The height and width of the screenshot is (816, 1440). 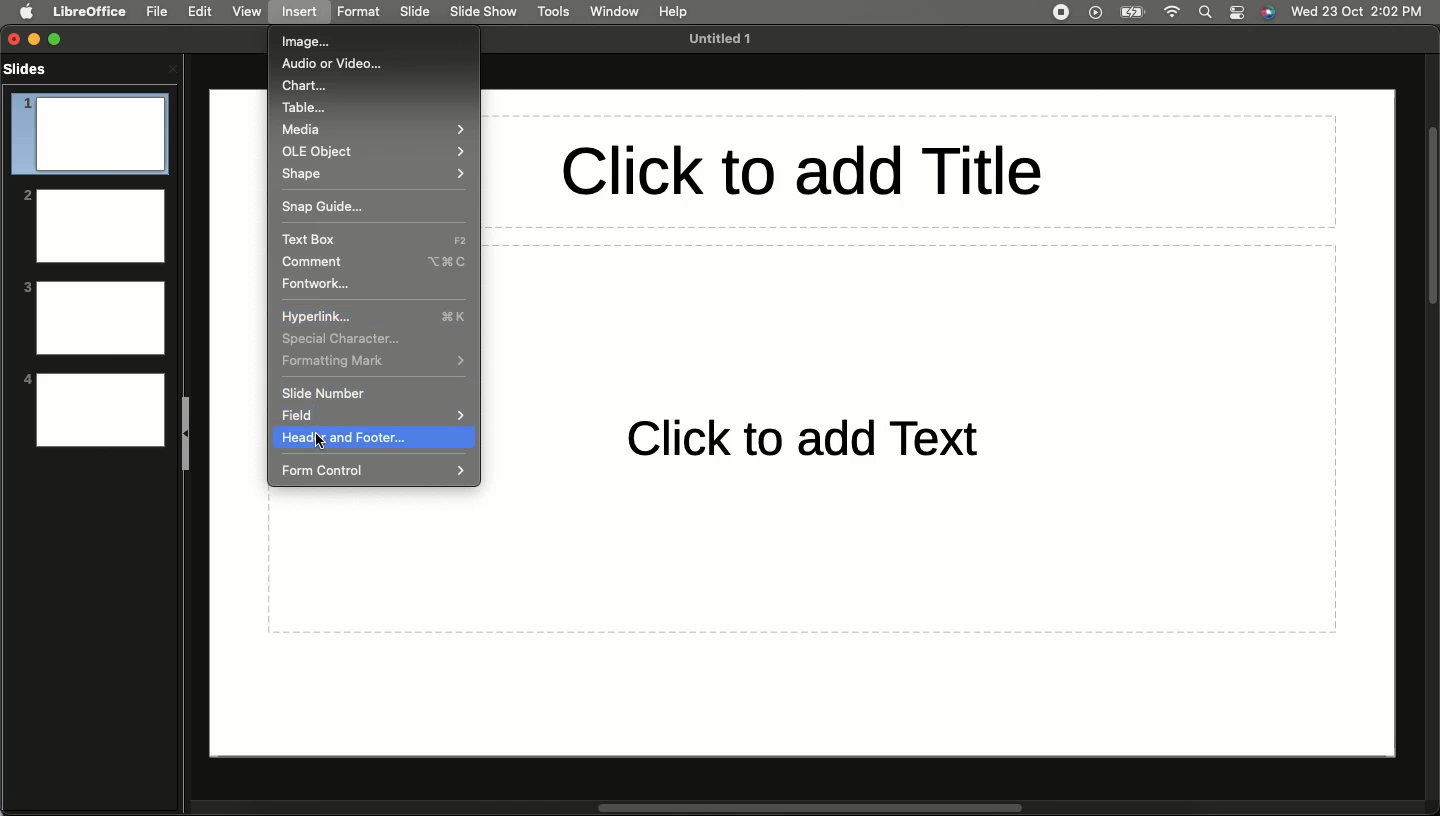 I want to click on Notification bar, so click(x=1238, y=13).